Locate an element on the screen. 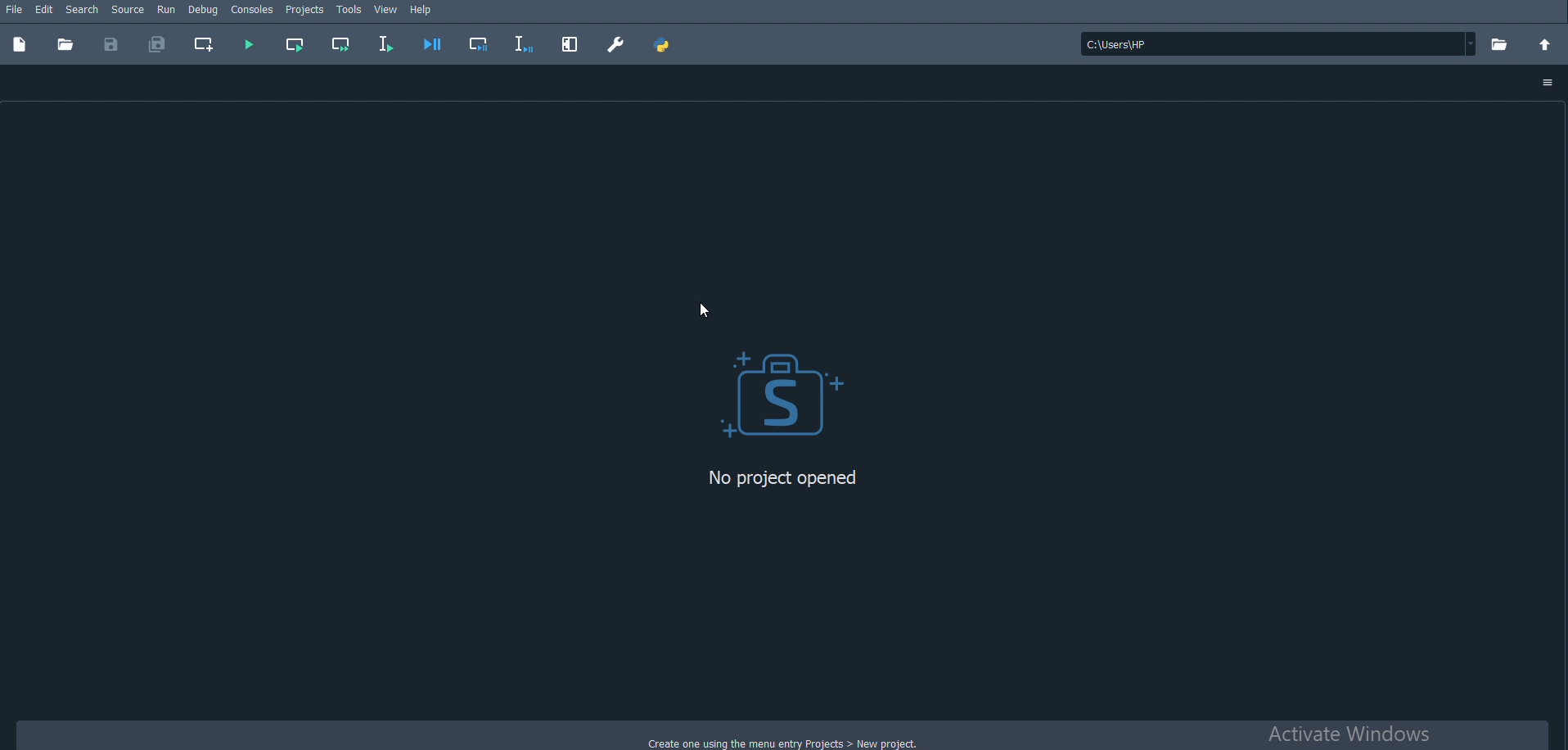 This screenshot has width=1568, height=750. Save file is located at coordinates (115, 43).